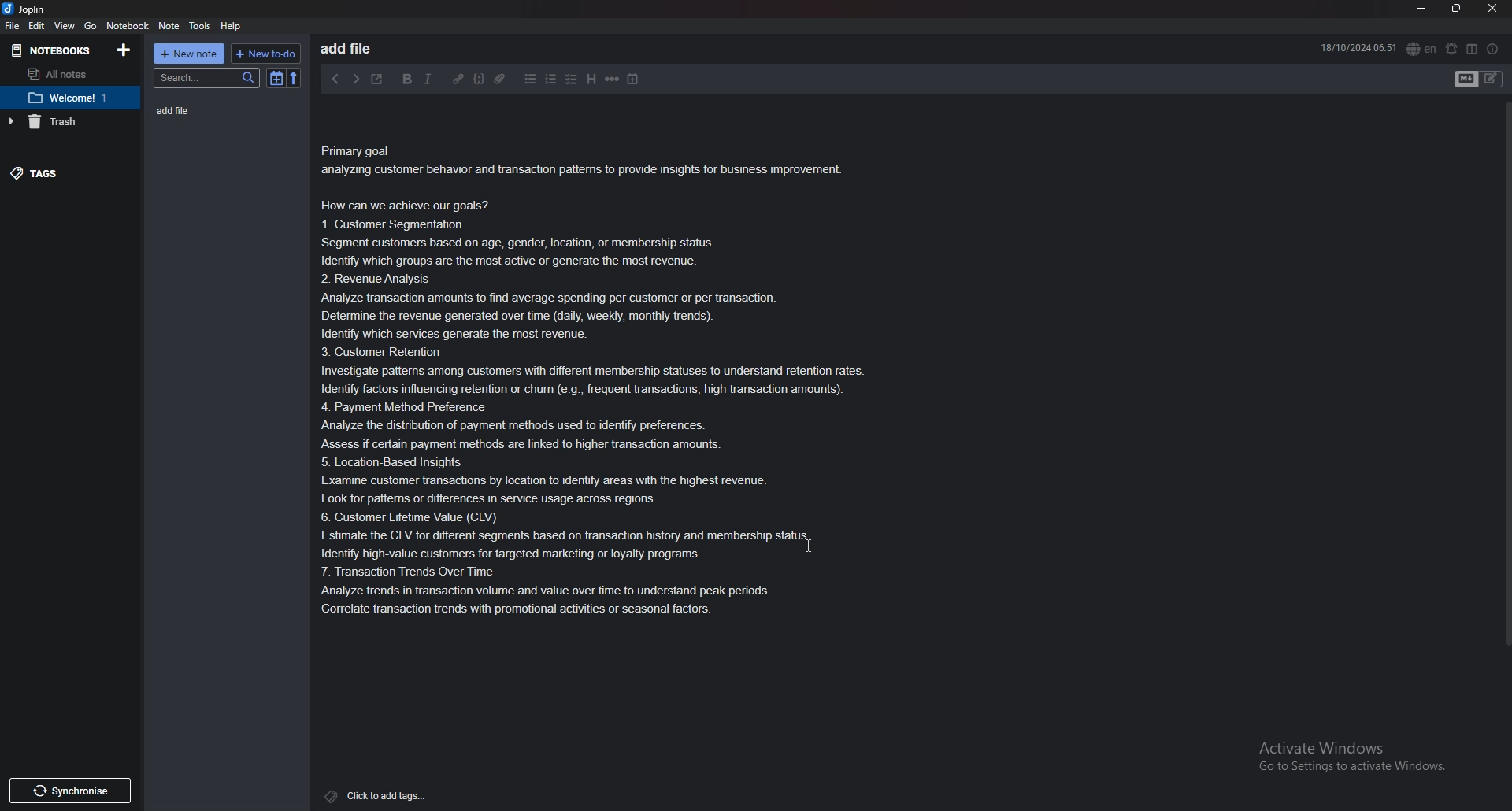 This screenshot has height=811, width=1512. What do you see at coordinates (479, 80) in the screenshot?
I see `Code` at bounding box center [479, 80].